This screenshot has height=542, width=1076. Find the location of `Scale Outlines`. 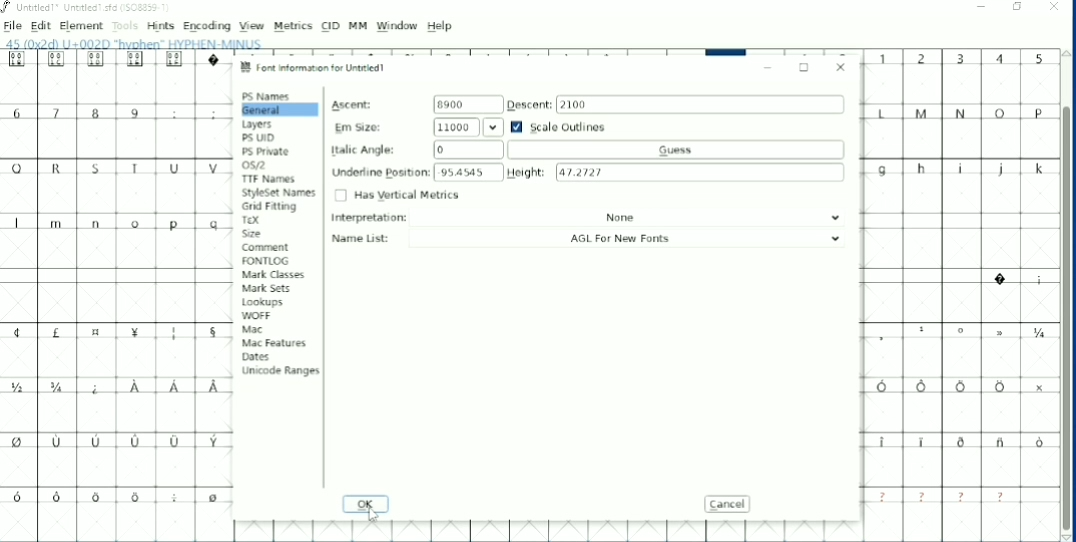

Scale Outlines is located at coordinates (559, 126).